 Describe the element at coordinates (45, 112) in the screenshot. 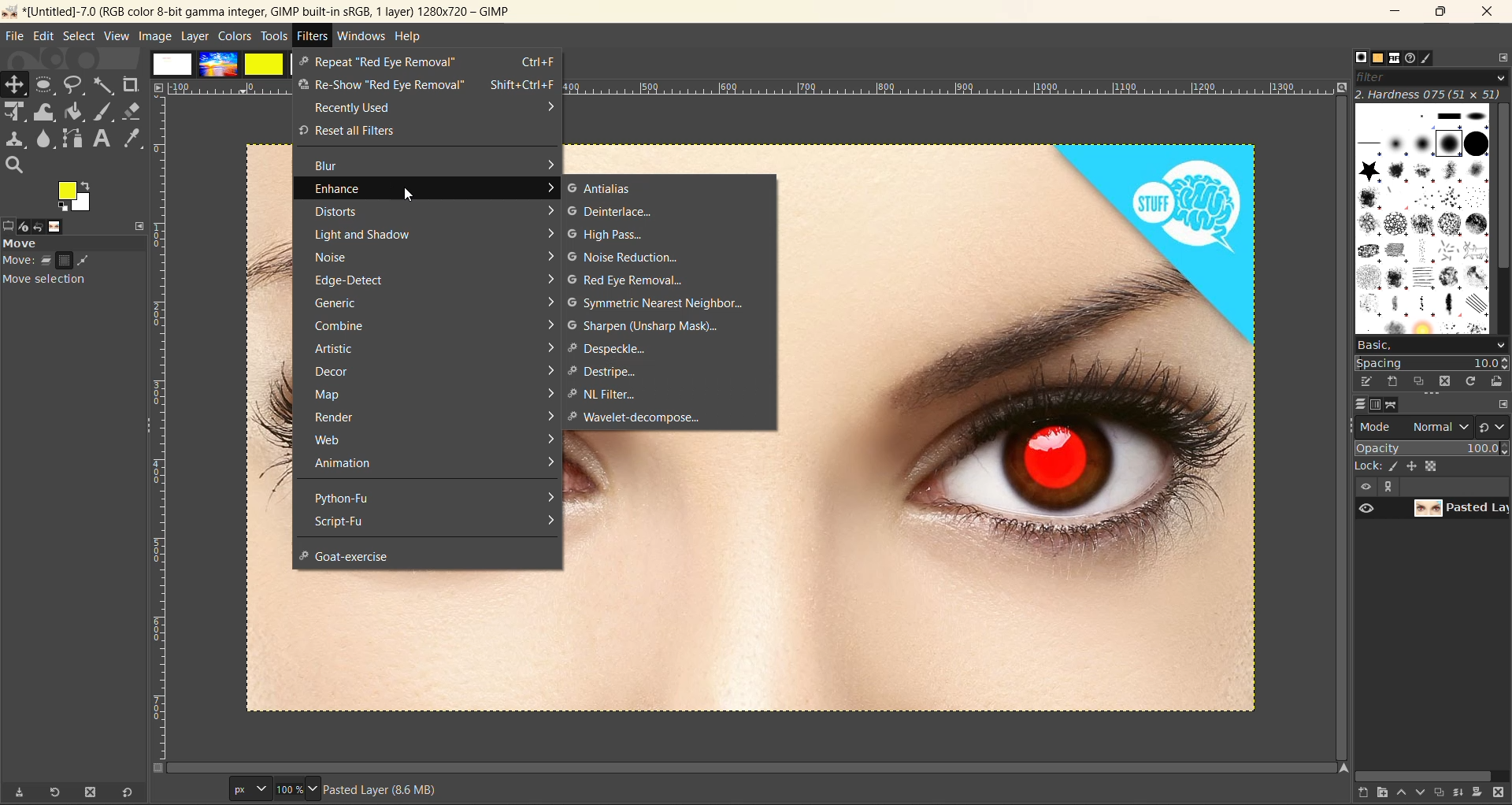

I see `wrap transform` at that location.